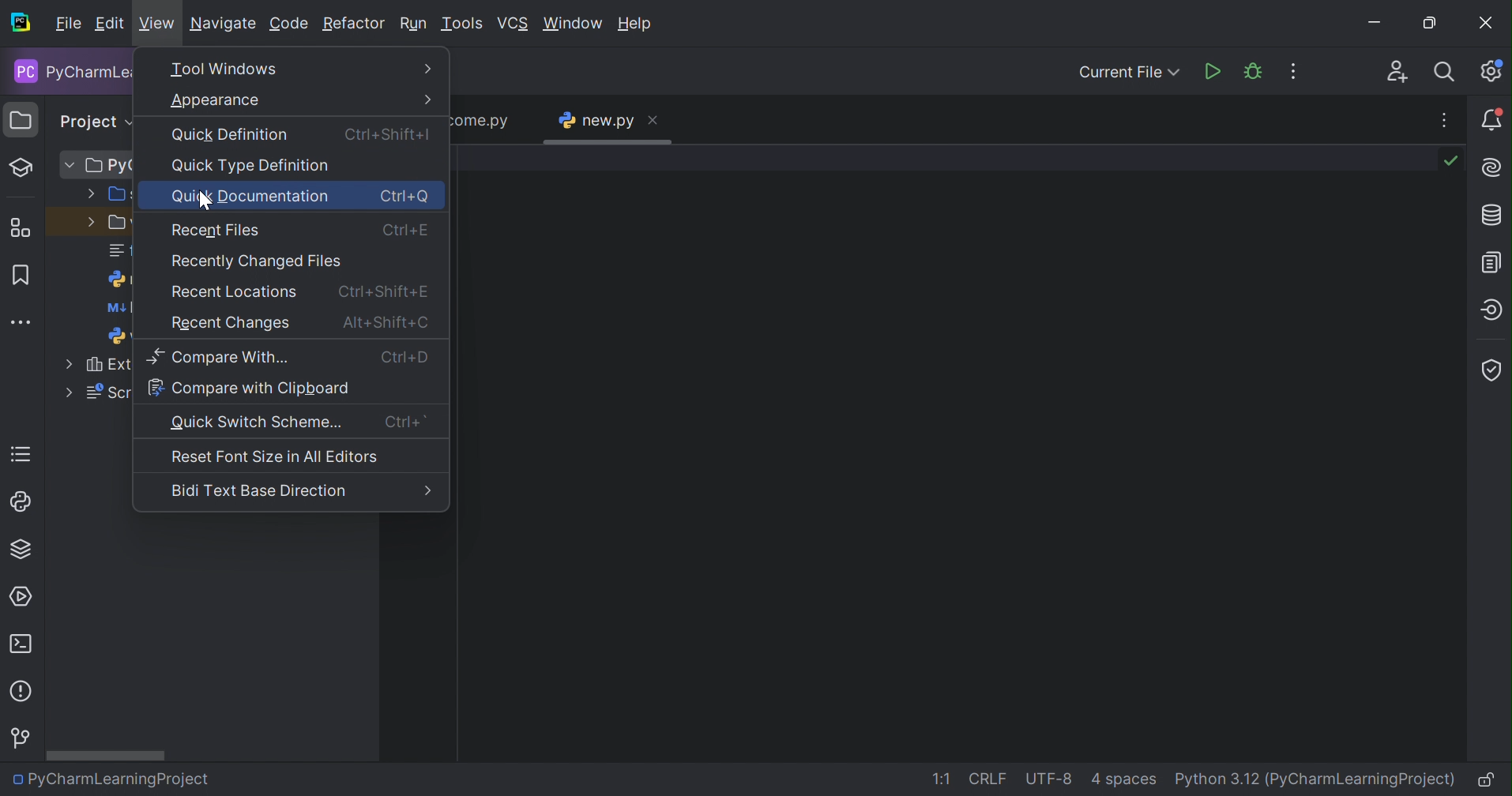 Image resolution: width=1512 pixels, height=796 pixels. Describe the element at coordinates (988, 779) in the screenshot. I see `CRLF` at that location.